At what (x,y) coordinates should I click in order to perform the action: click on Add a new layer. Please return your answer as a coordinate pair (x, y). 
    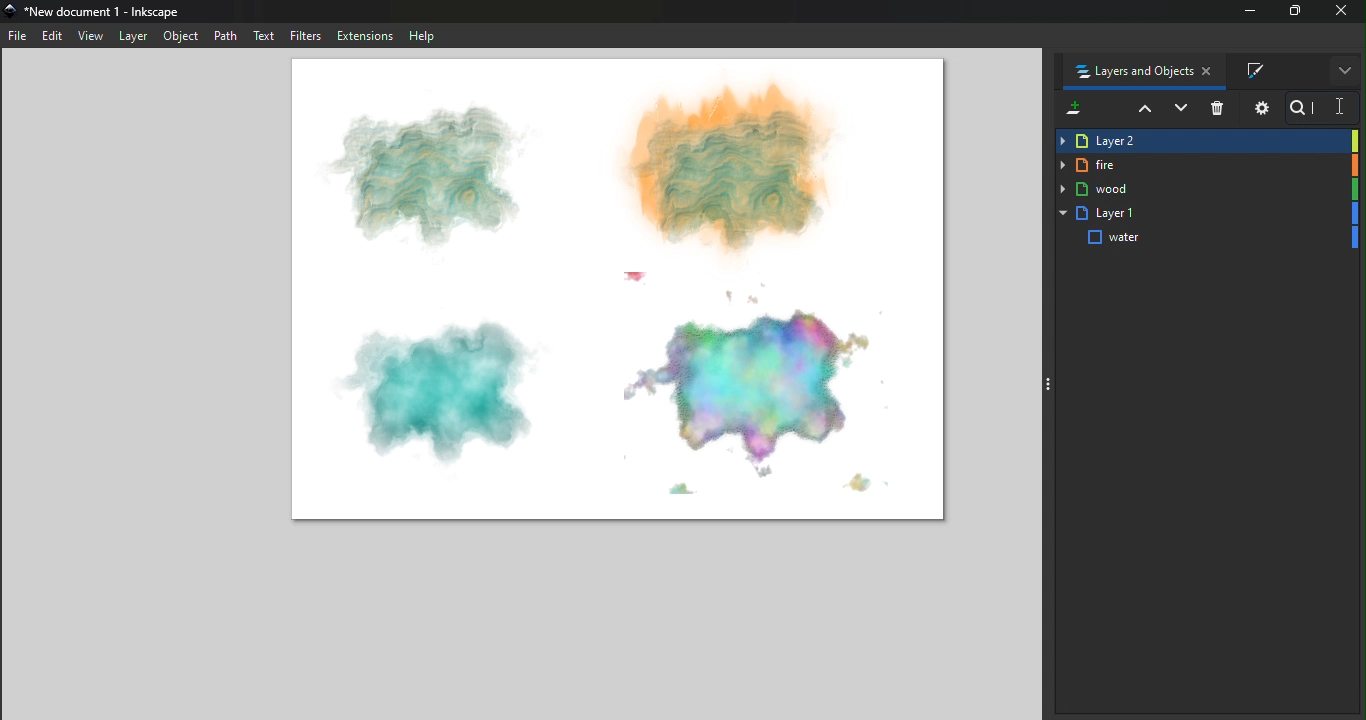
    Looking at the image, I should click on (1072, 111).